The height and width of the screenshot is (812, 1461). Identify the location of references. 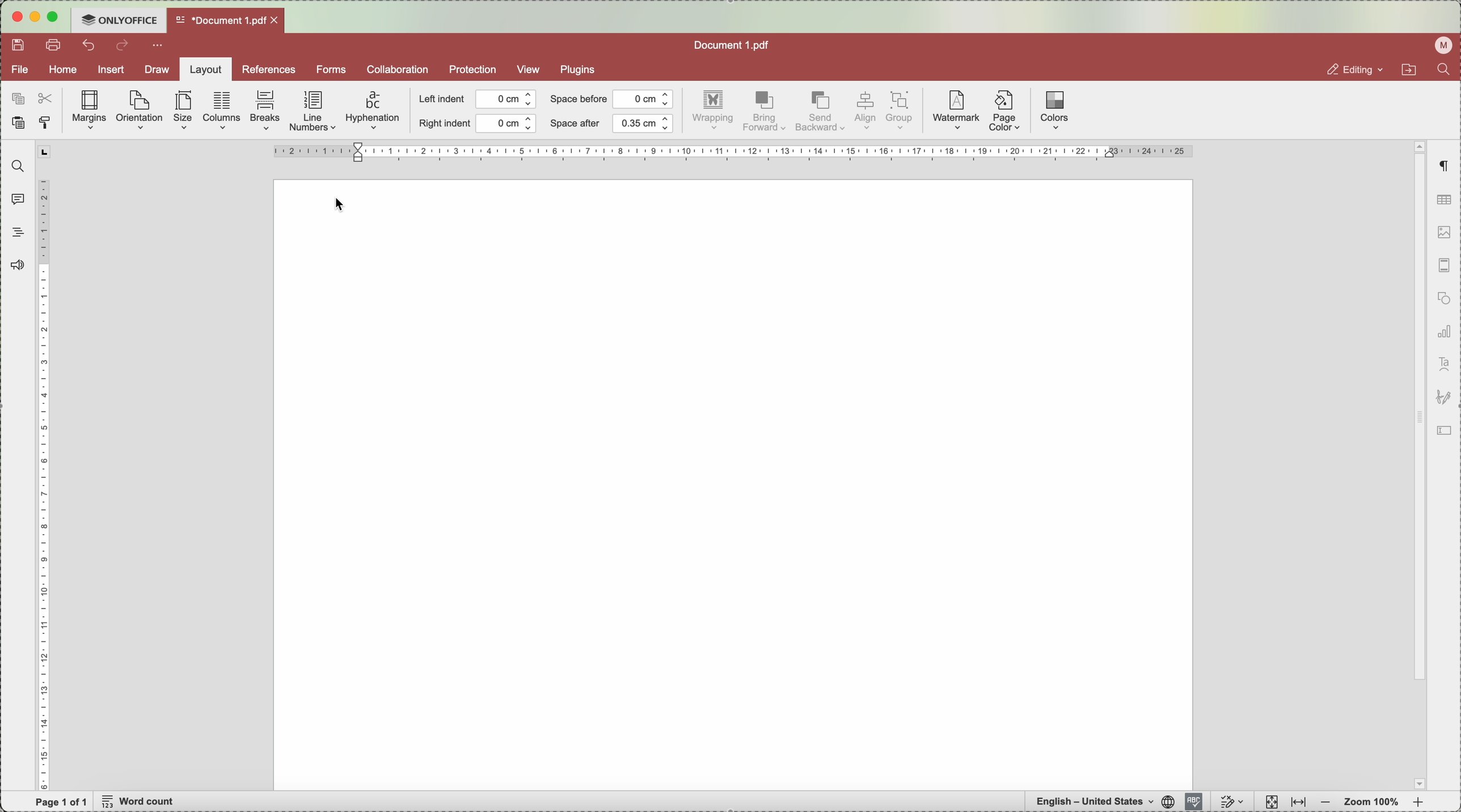
(268, 69).